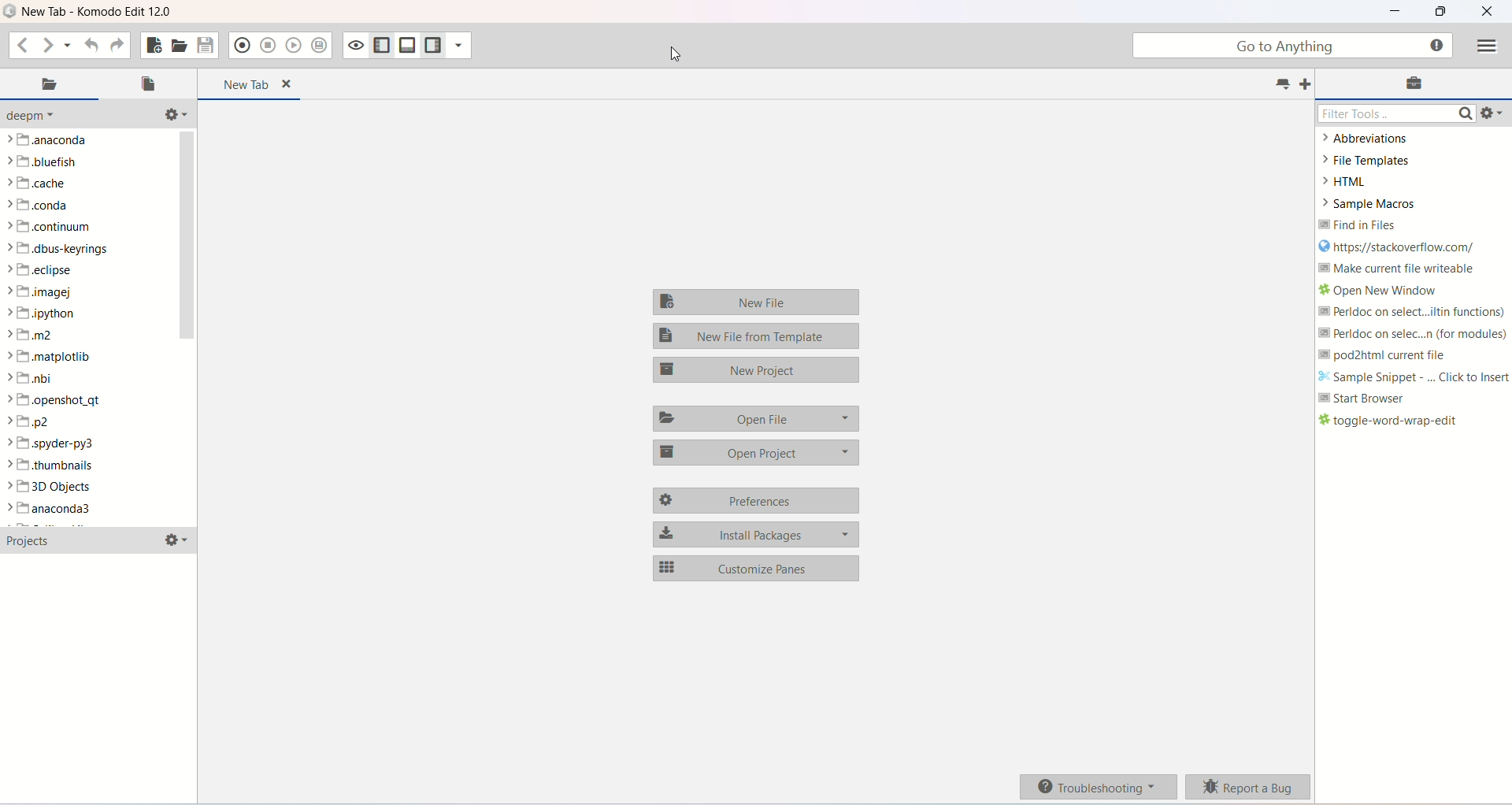 The width and height of the screenshot is (1512, 805). Describe the element at coordinates (1395, 113) in the screenshot. I see `filter tools` at that location.